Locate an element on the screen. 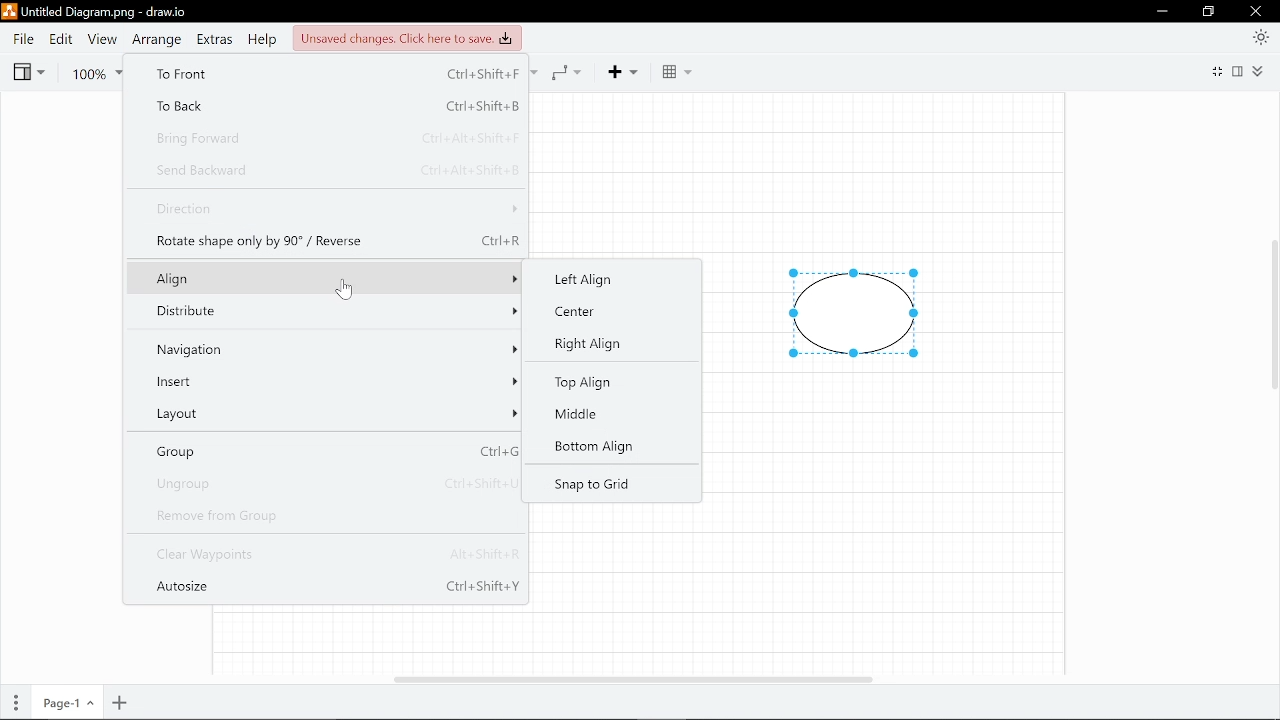  Pages is located at coordinates (14, 704).